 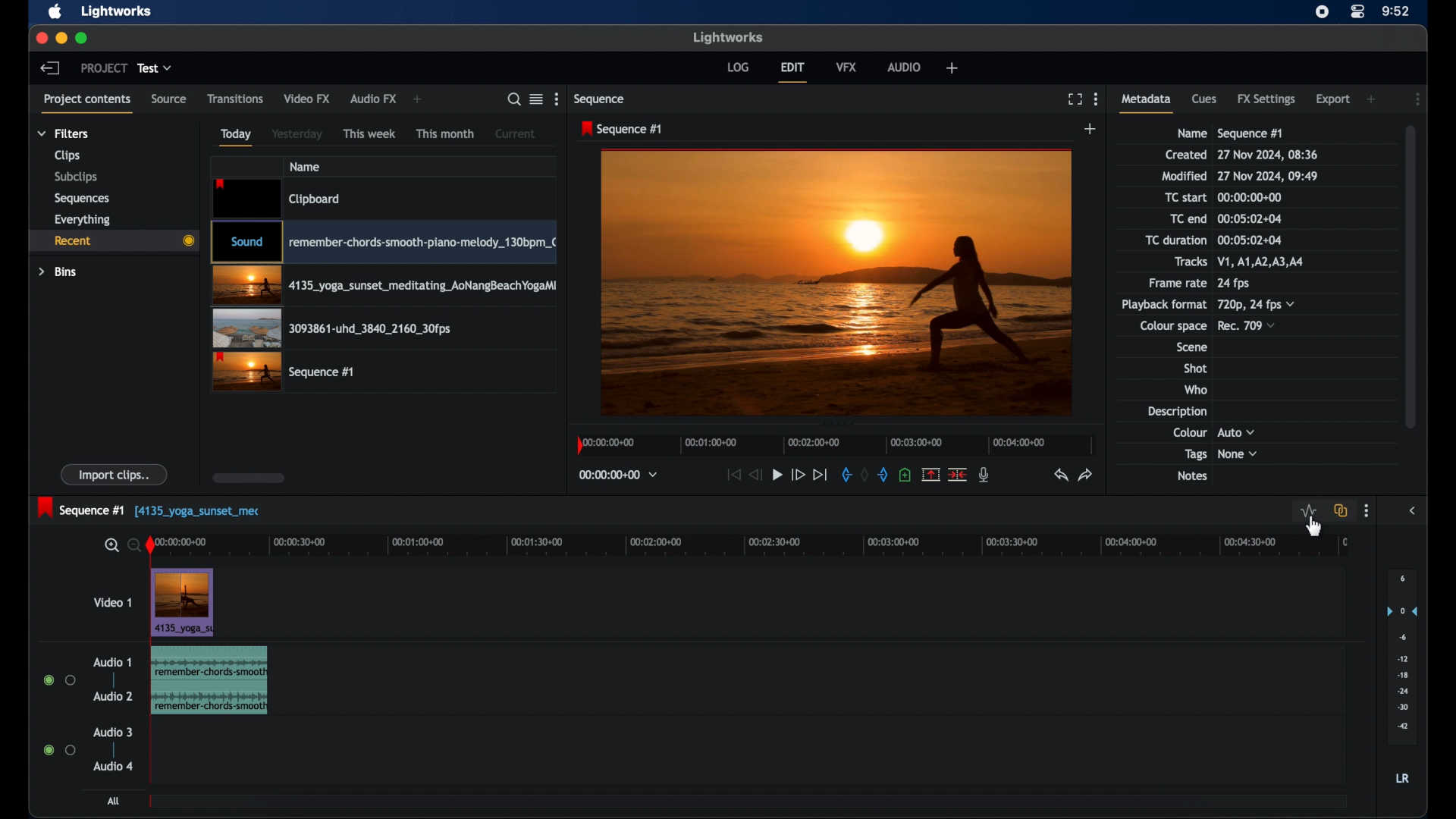 I want to click on recent, so click(x=113, y=243).